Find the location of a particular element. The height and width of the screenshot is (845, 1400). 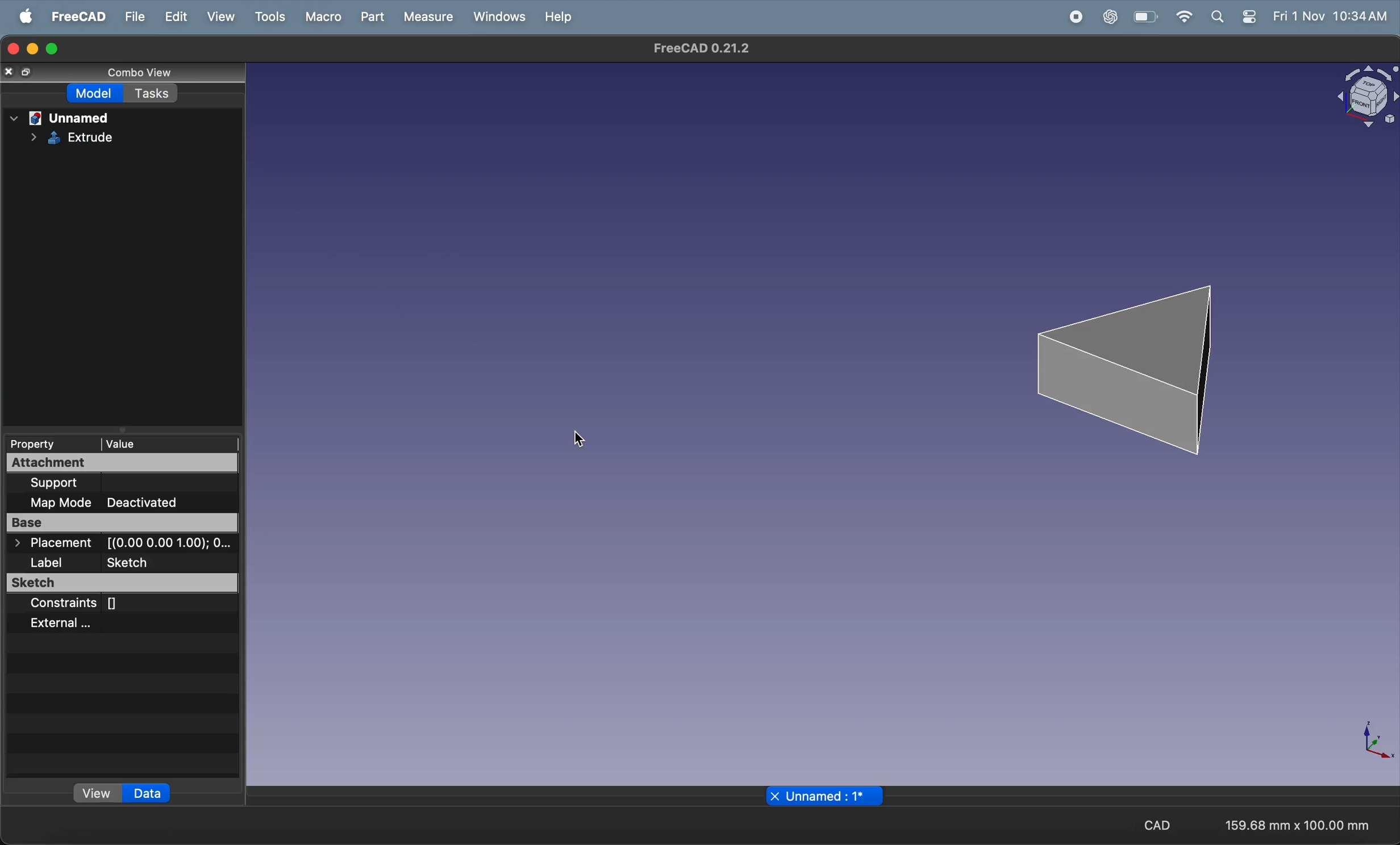

map mode deactivated is located at coordinates (127, 501).